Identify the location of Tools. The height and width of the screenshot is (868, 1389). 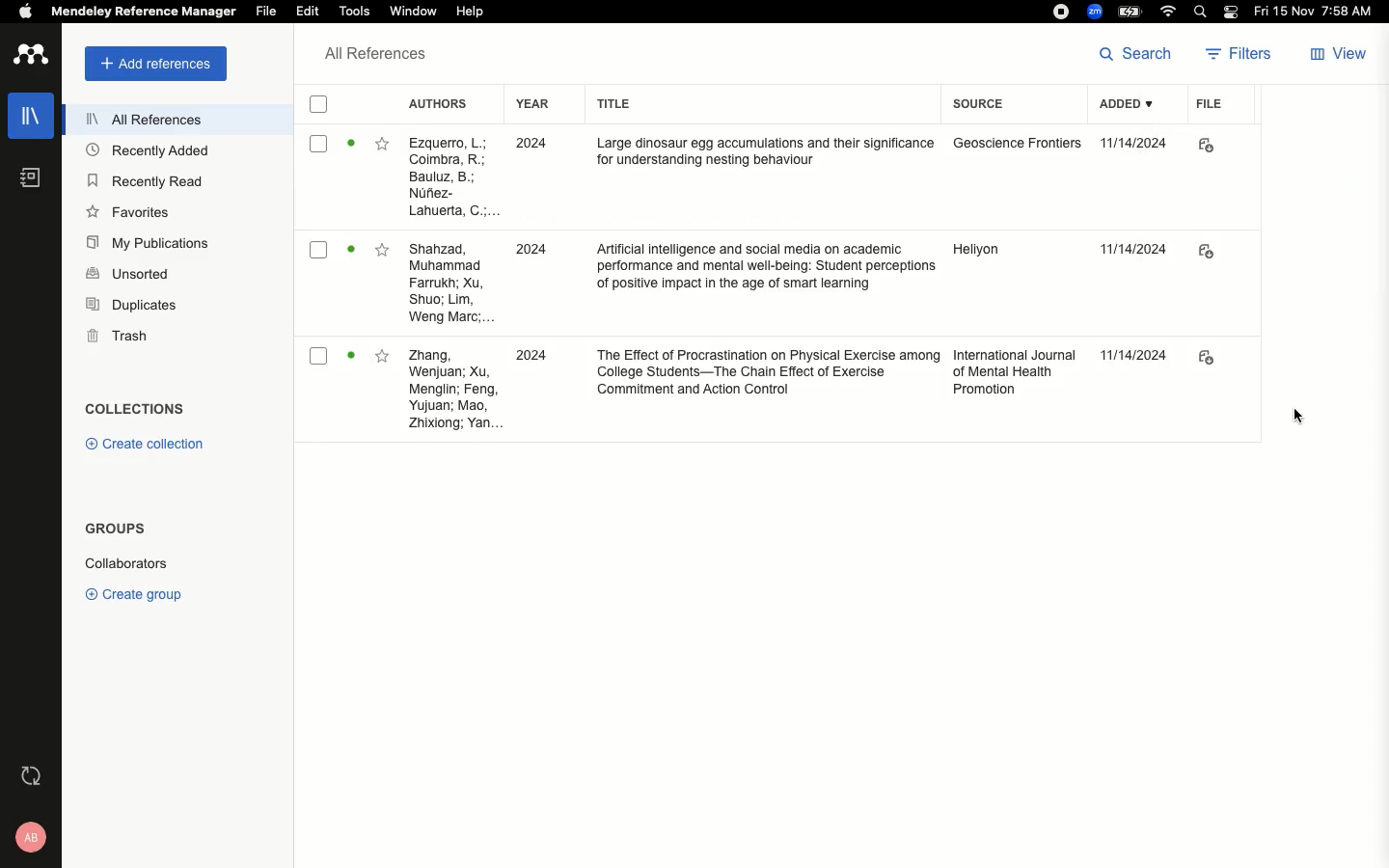
(356, 13).